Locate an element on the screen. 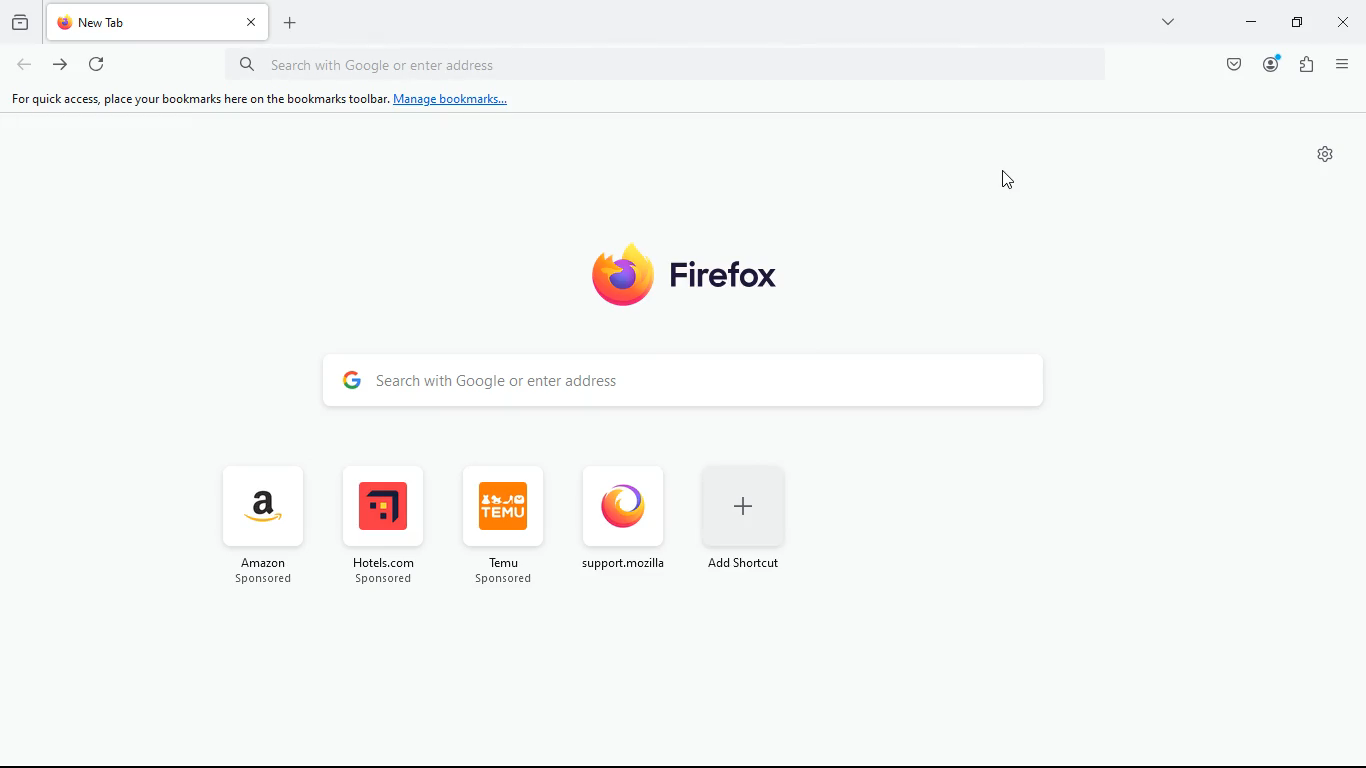 This screenshot has height=768, width=1366. Search with Google or enter address is located at coordinates (501, 380).